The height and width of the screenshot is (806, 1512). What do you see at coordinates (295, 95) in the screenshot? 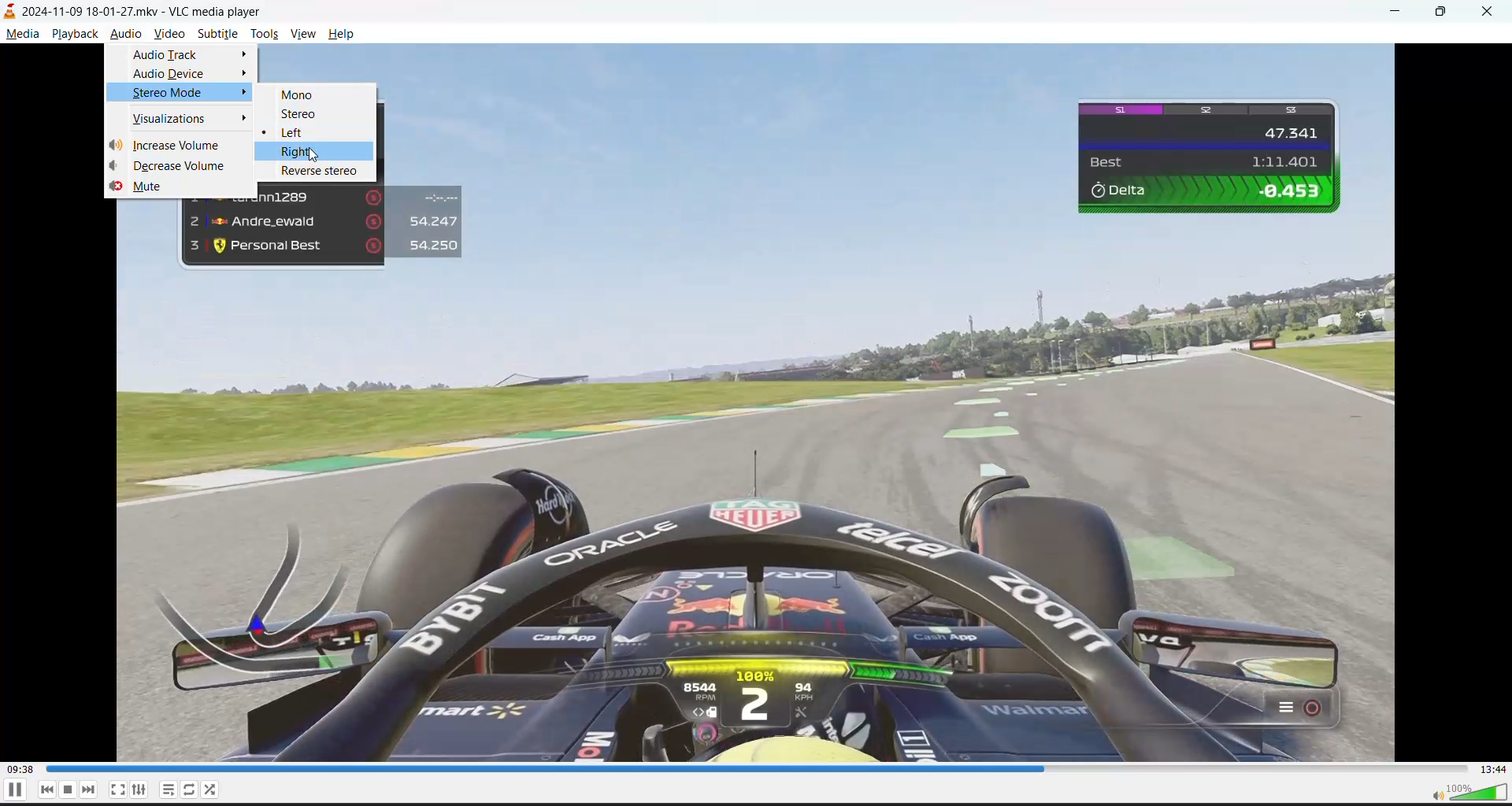
I see `mono` at bounding box center [295, 95].